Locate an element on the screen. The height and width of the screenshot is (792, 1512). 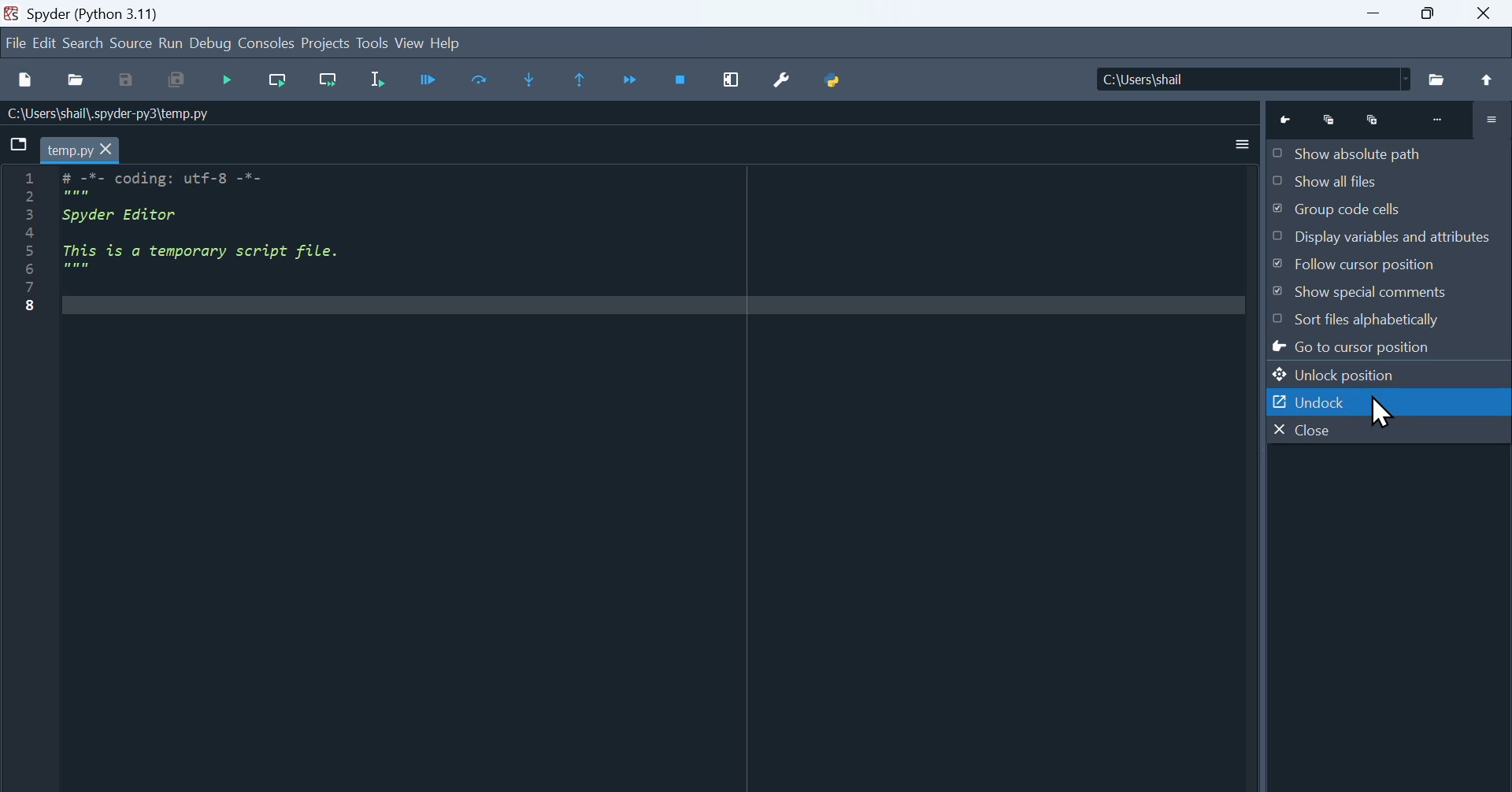
minimize is located at coordinates (1374, 13).